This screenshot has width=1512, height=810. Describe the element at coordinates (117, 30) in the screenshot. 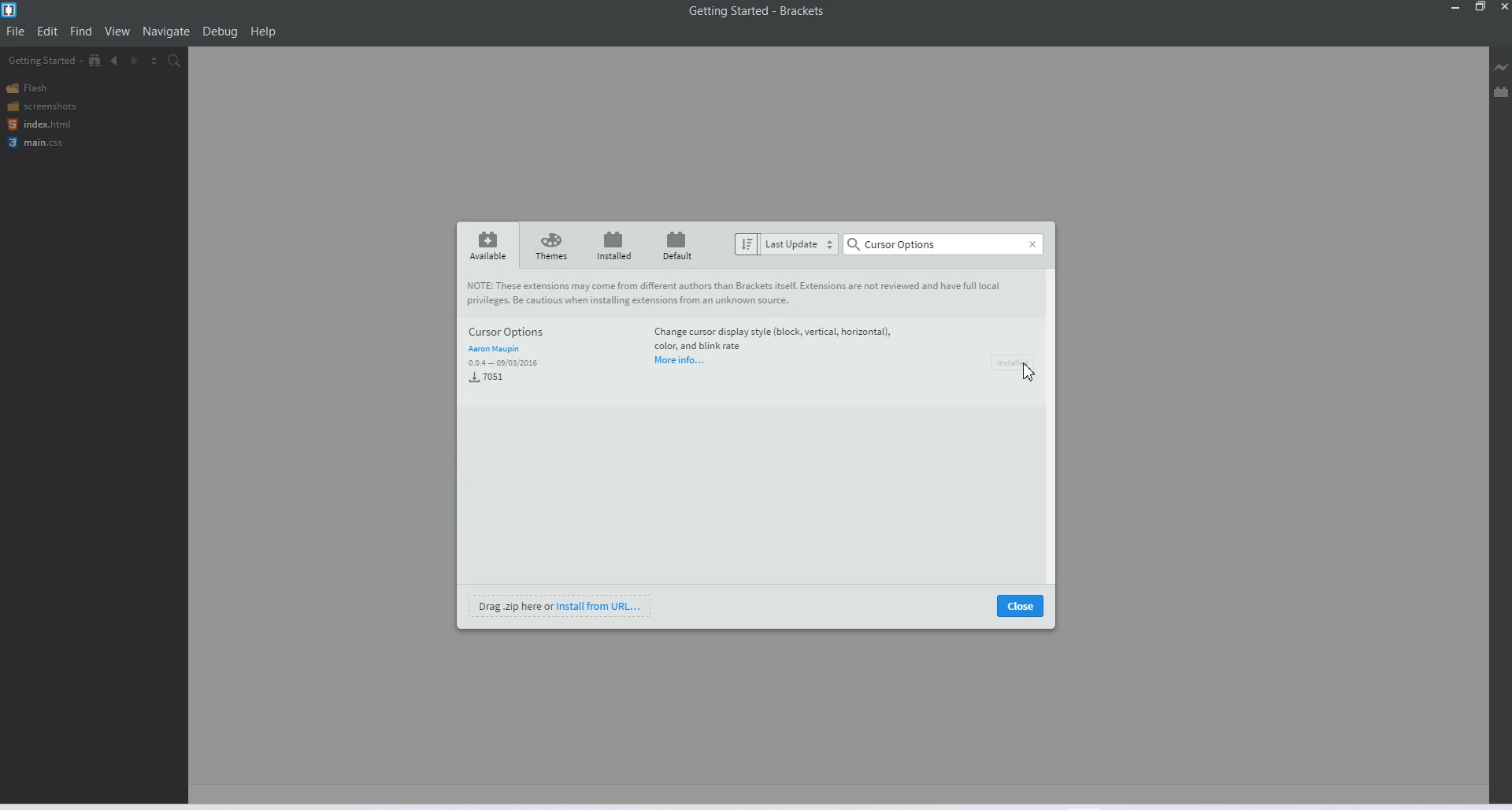

I see `View` at that location.